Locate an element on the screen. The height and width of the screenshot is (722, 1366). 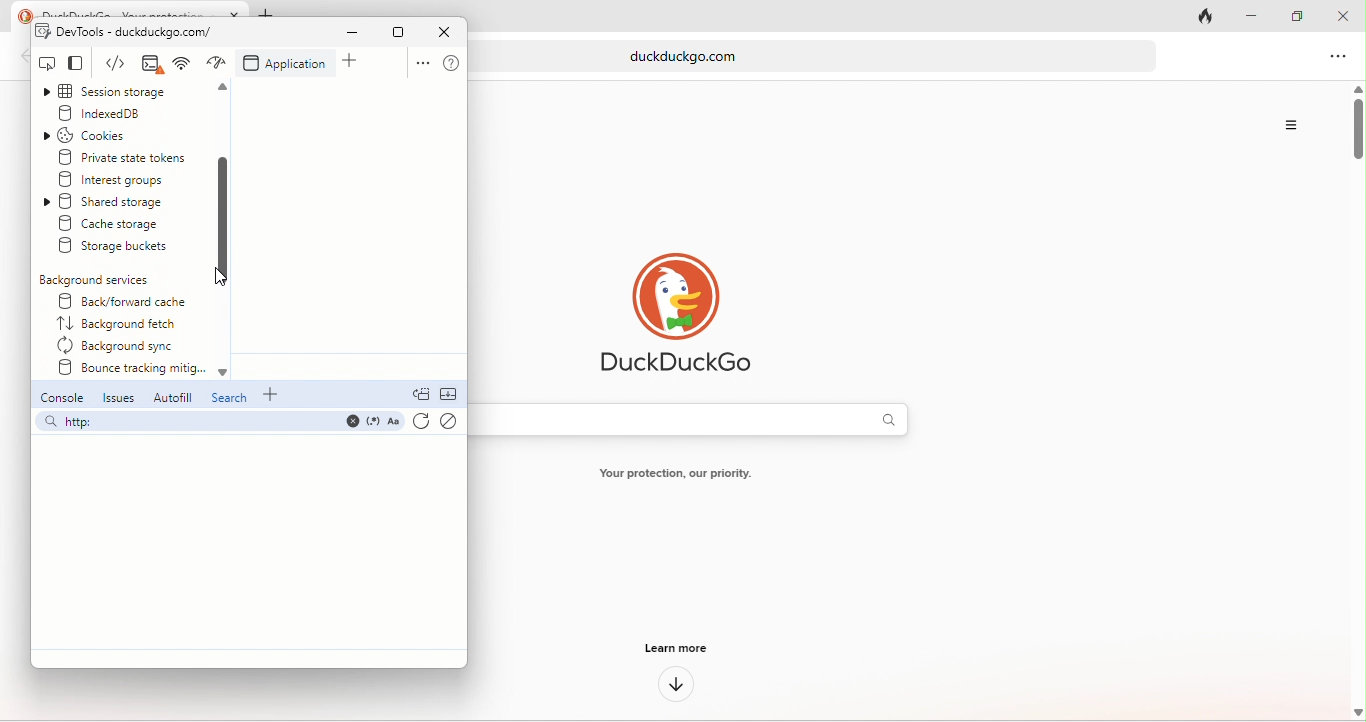
storage buckets is located at coordinates (117, 248).